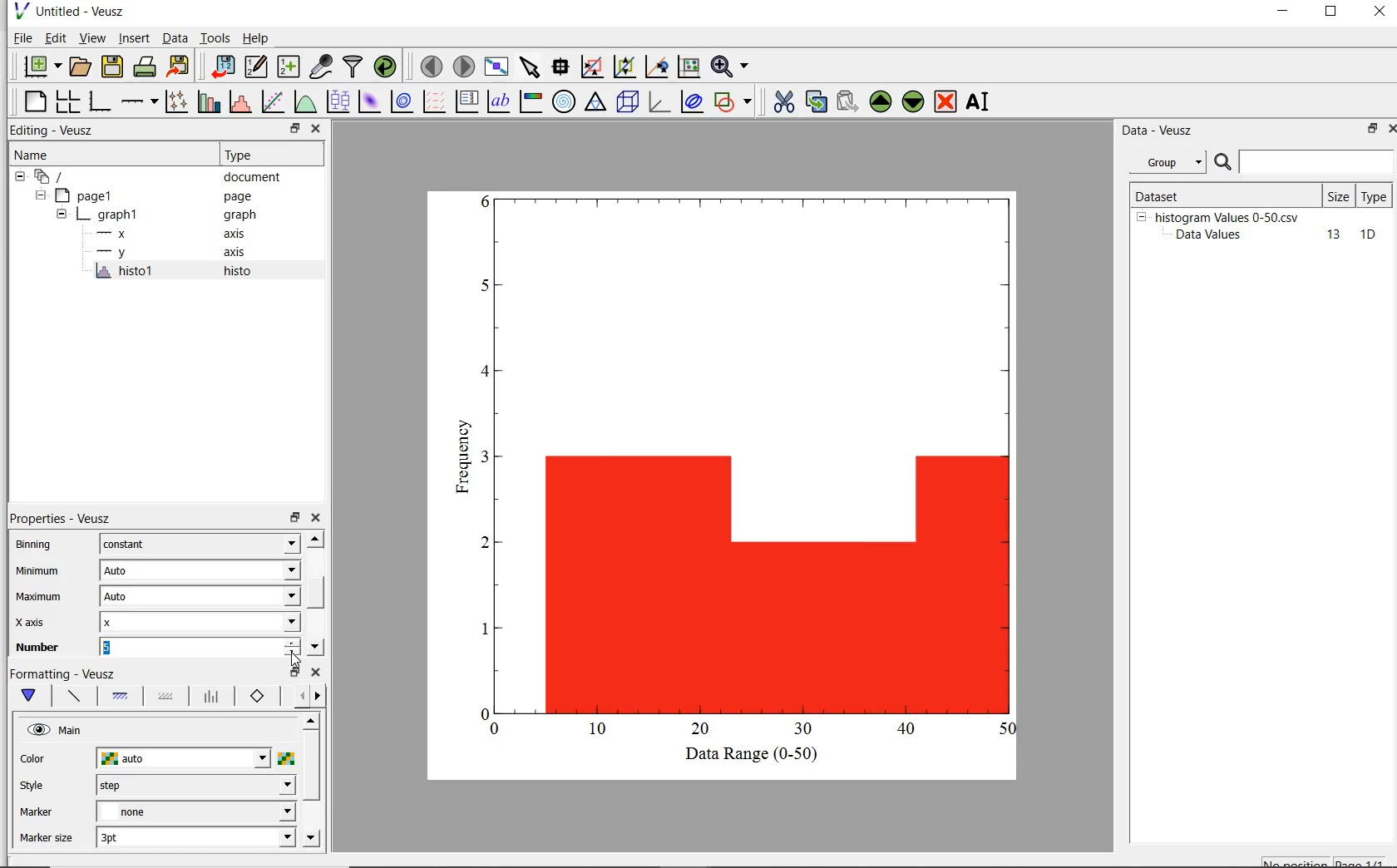 Image resolution: width=1397 pixels, height=868 pixels. Describe the element at coordinates (189, 647) in the screenshot. I see ` 5` at that location.